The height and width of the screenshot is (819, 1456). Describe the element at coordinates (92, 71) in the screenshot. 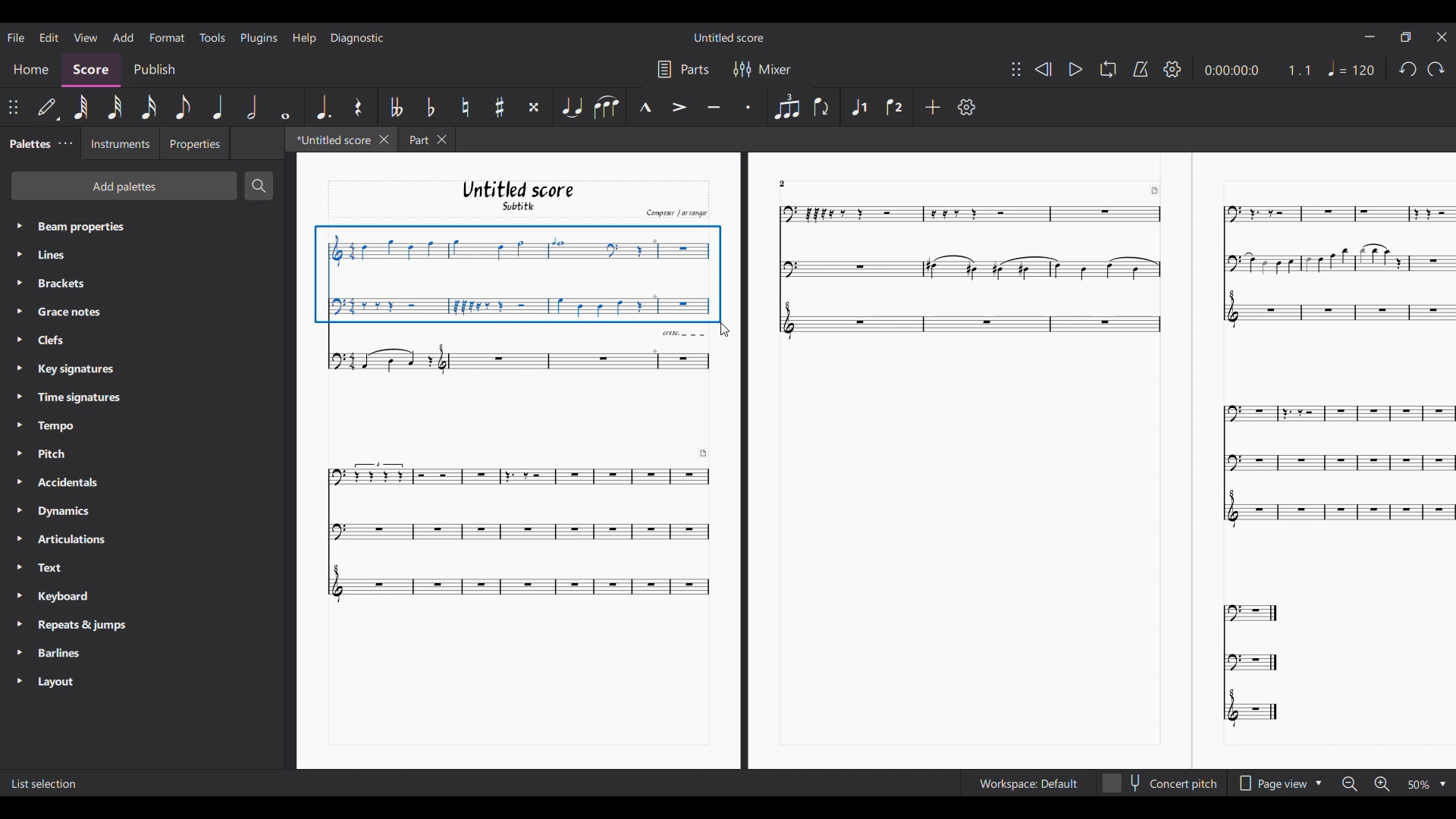

I see `Score ` at that location.